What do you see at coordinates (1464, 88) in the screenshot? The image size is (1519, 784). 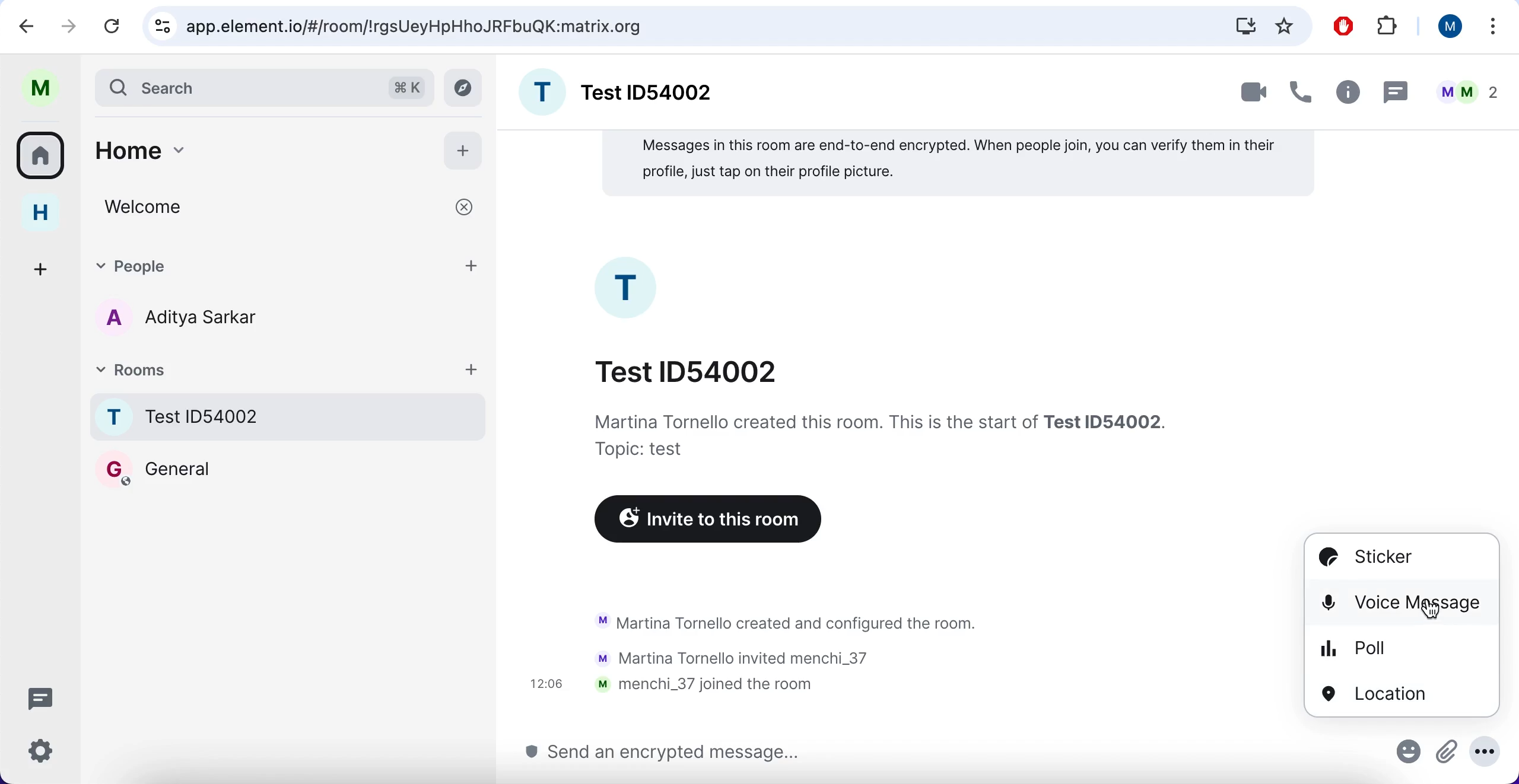 I see `people` at bounding box center [1464, 88].